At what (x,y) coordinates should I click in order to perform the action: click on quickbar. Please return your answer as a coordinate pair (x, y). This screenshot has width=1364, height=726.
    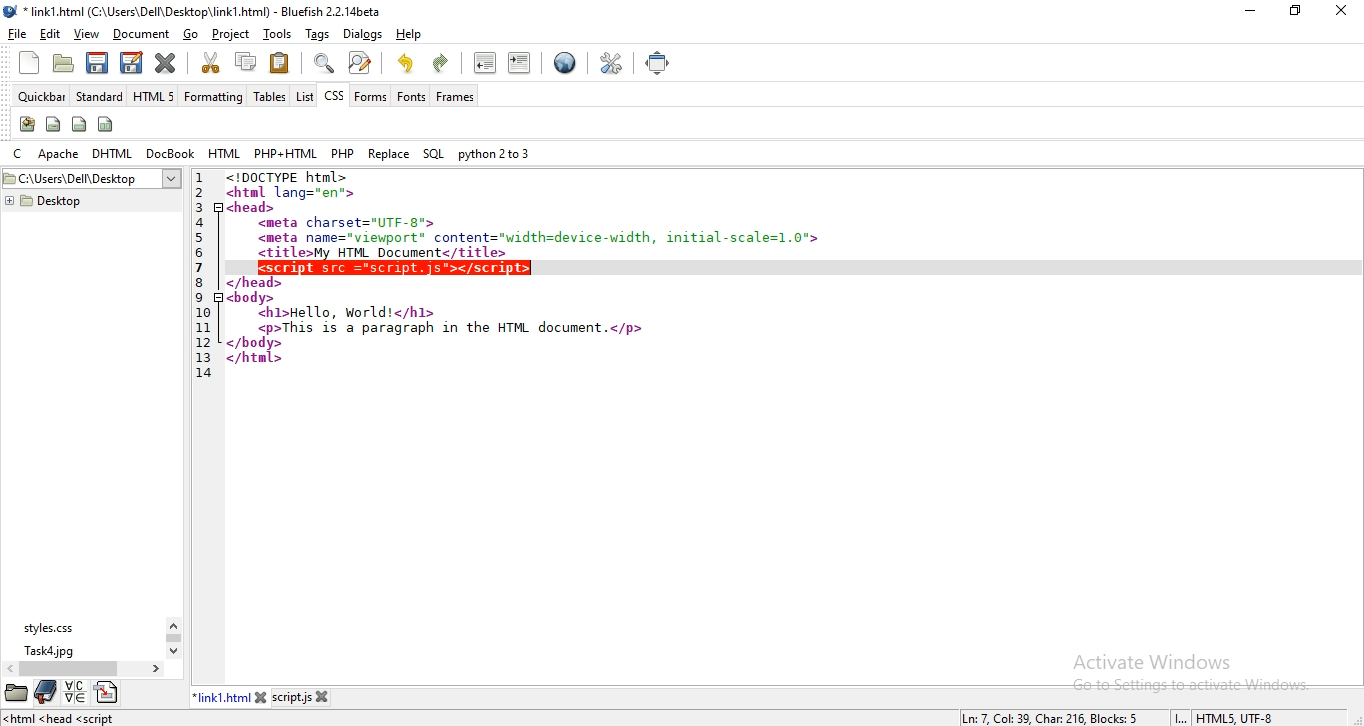
    Looking at the image, I should click on (40, 97).